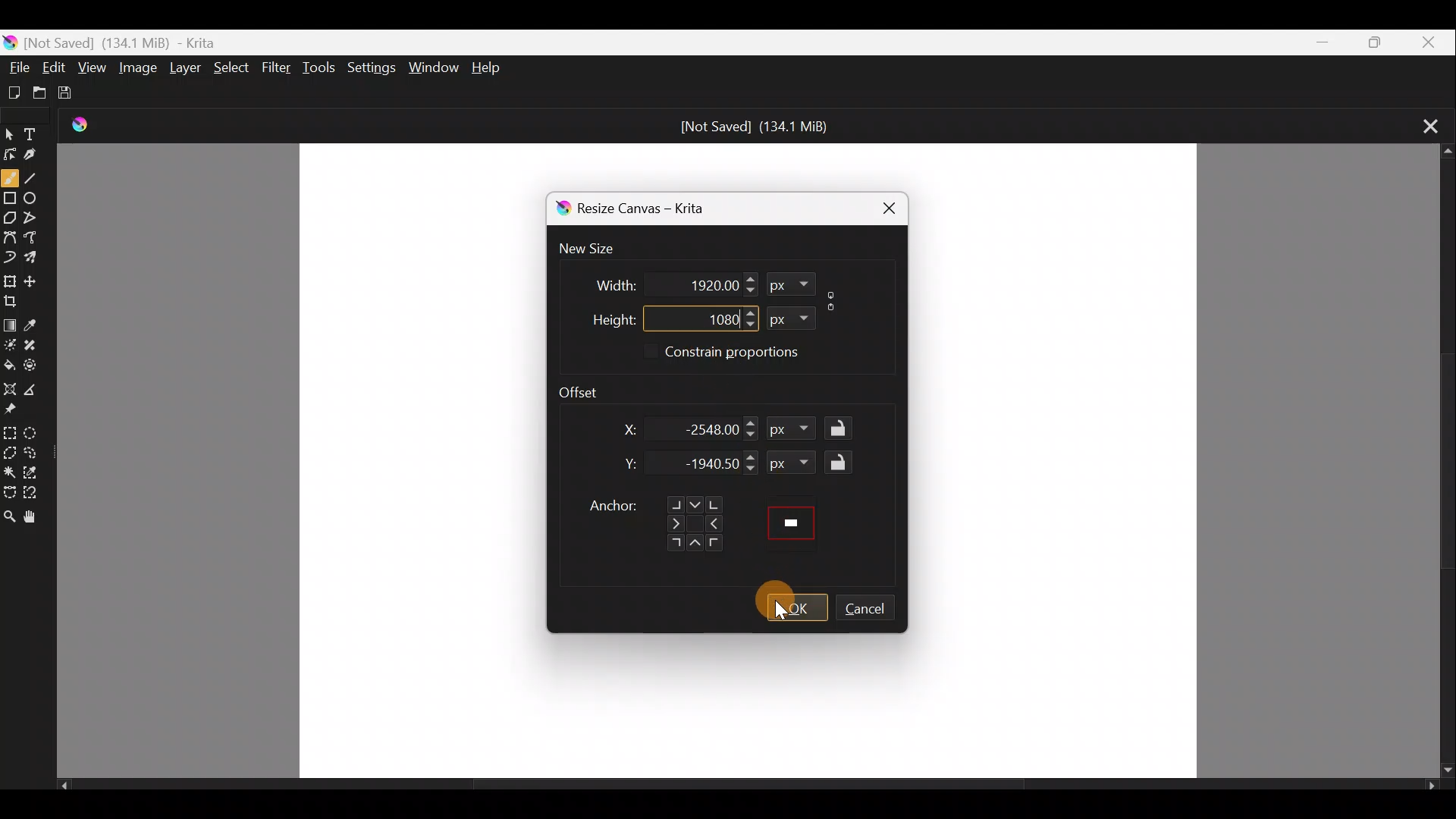 Image resolution: width=1456 pixels, height=819 pixels. I want to click on Contiguous selection tool, so click(10, 472).